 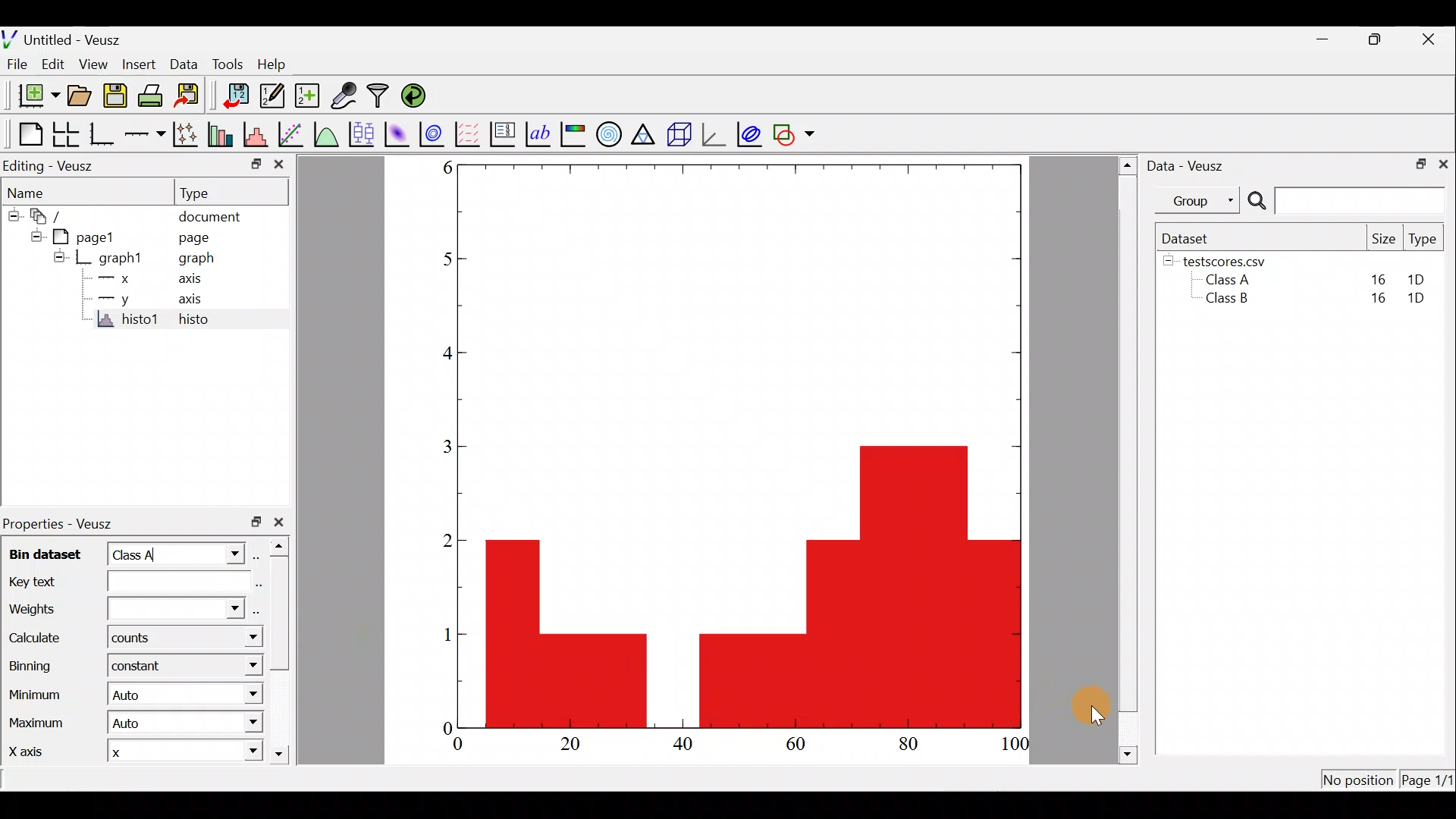 I want to click on Print the document, so click(x=151, y=95).